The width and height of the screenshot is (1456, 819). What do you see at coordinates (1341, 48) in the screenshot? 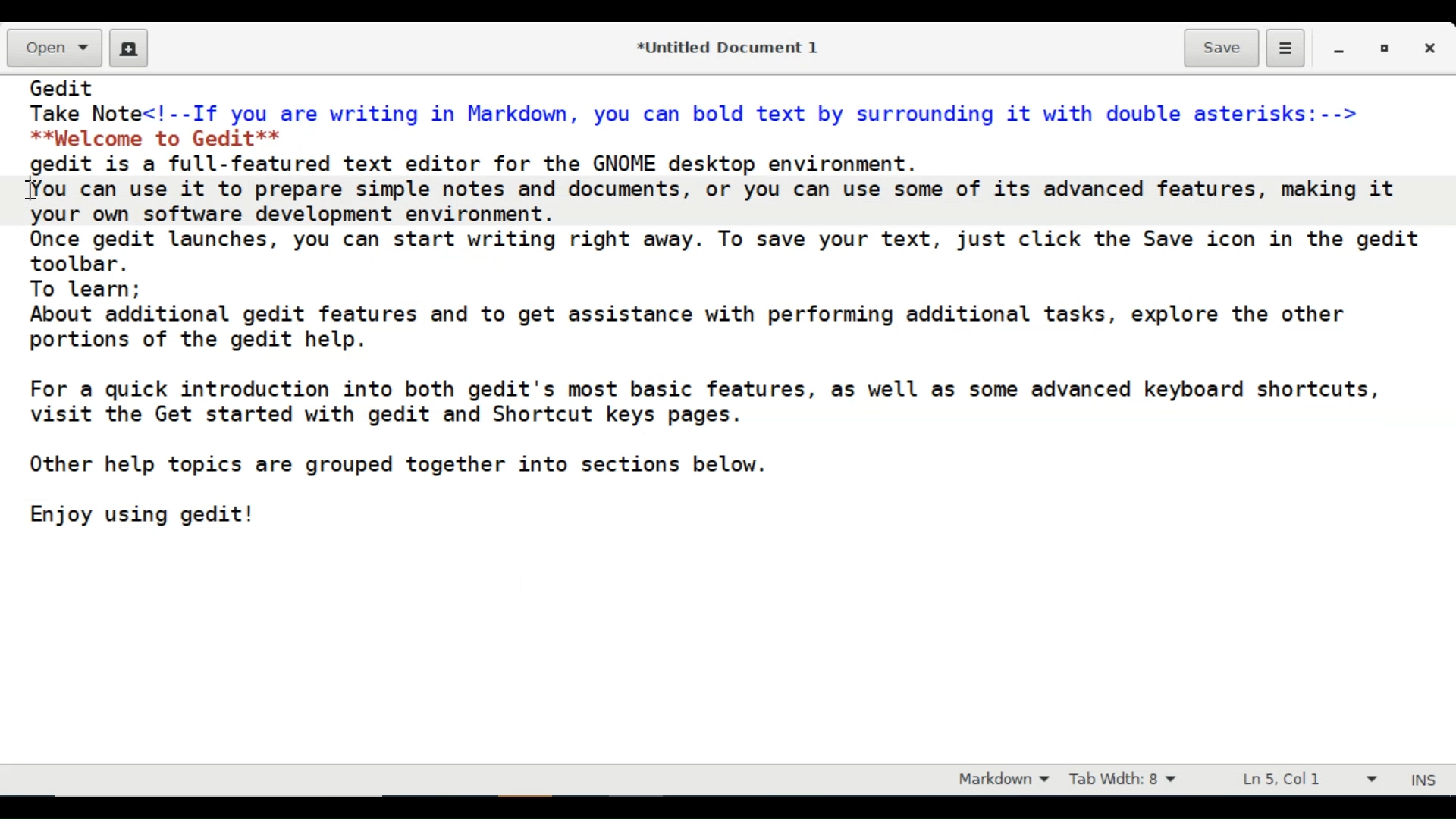
I see `minimize` at bounding box center [1341, 48].